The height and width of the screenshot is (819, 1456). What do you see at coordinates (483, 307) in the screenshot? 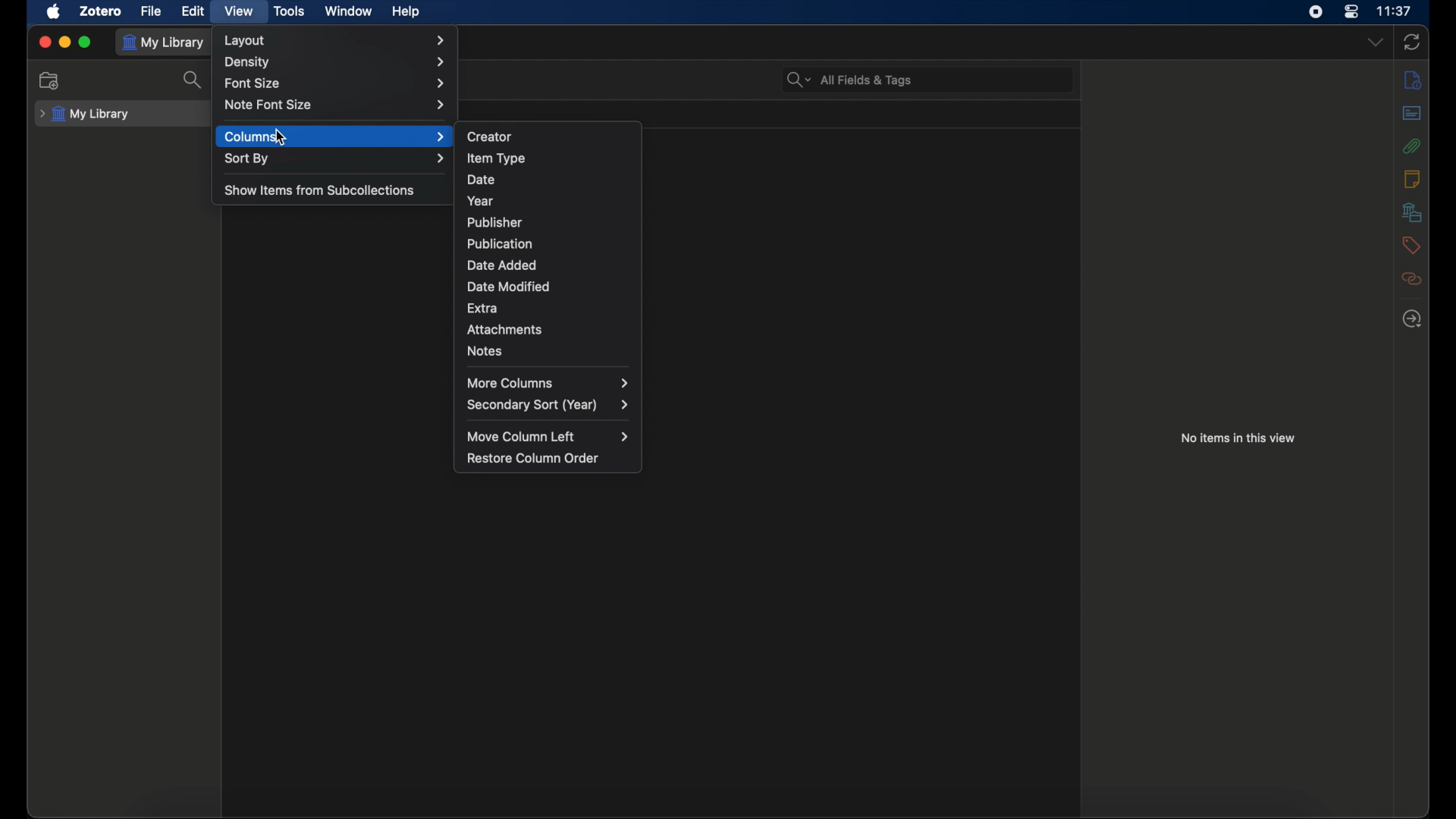
I see `extra` at bounding box center [483, 307].